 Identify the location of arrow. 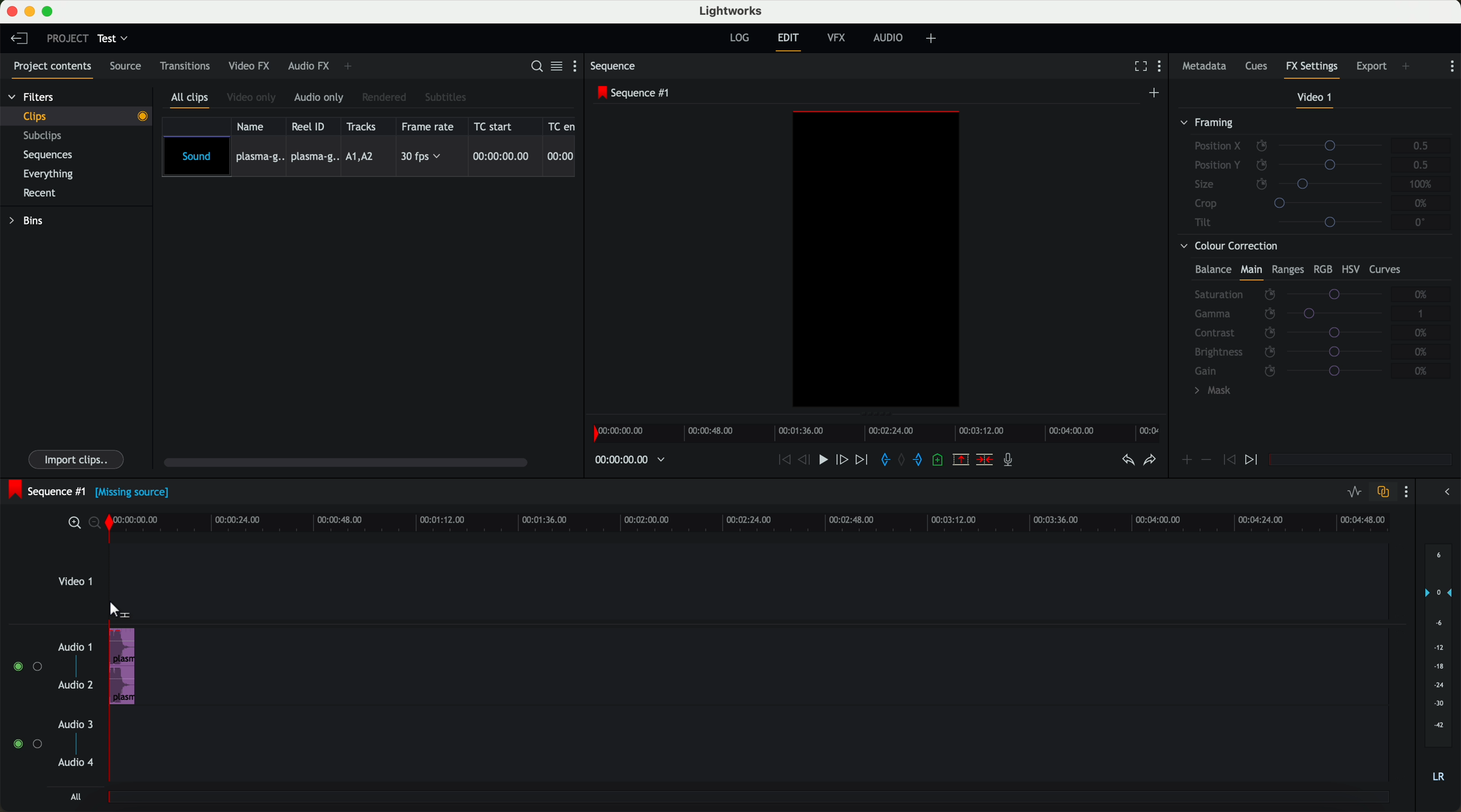
(1443, 493).